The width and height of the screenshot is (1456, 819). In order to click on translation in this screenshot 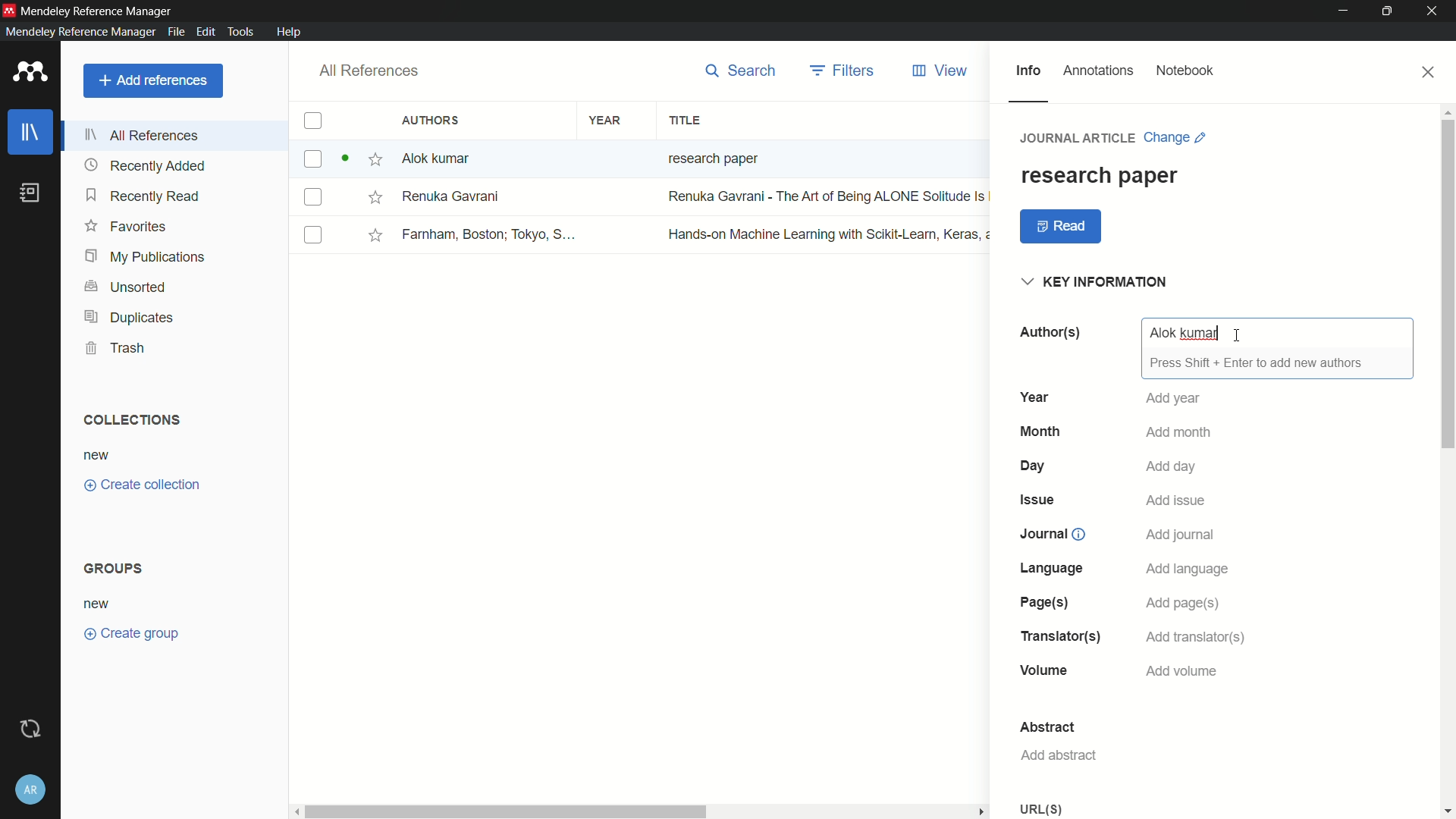, I will do `click(1057, 636)`.